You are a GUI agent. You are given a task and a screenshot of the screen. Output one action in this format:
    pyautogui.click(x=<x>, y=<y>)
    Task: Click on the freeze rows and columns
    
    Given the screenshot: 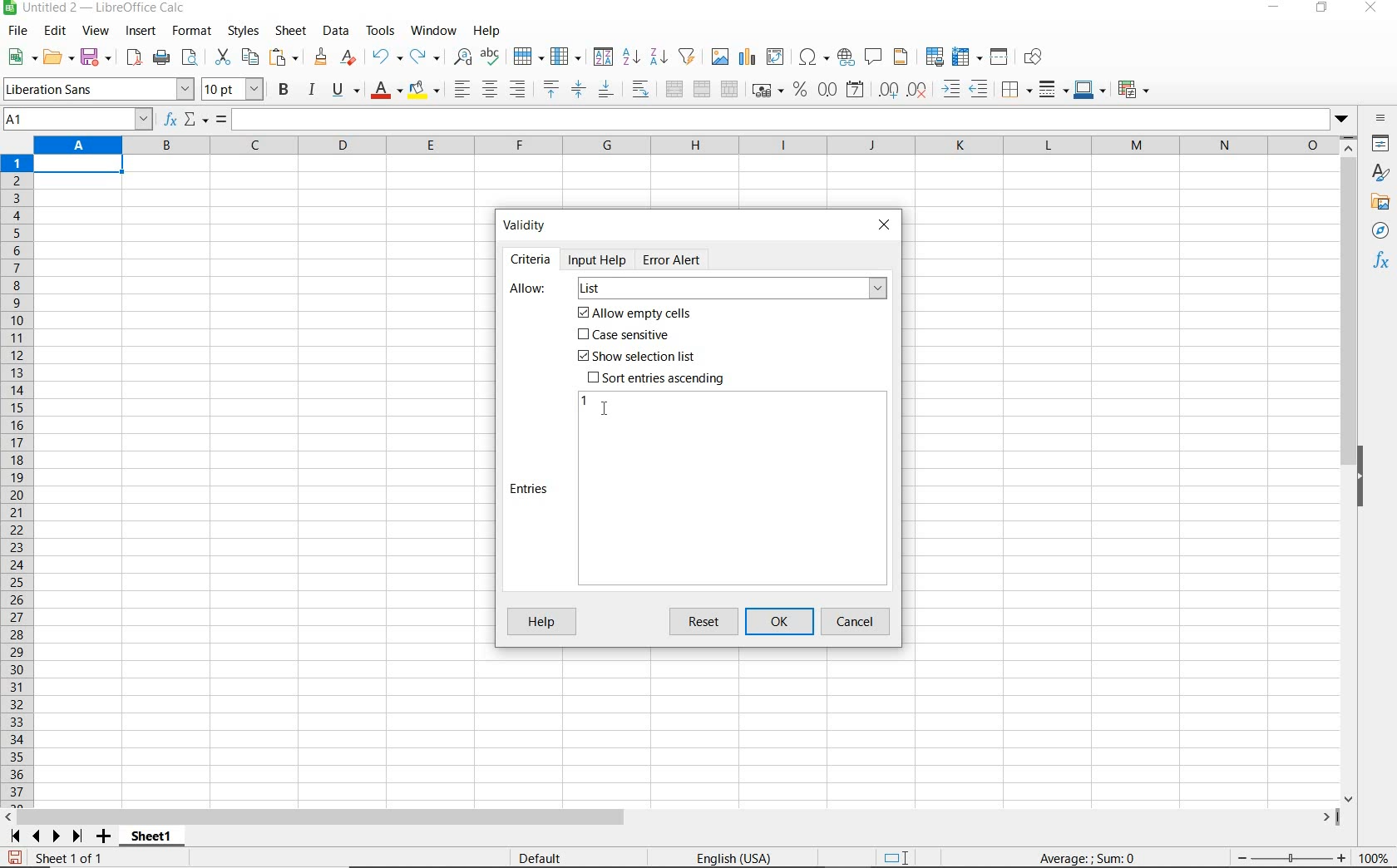 What is the action you would take?
    pyautogui.click(x=968, y=57)
    